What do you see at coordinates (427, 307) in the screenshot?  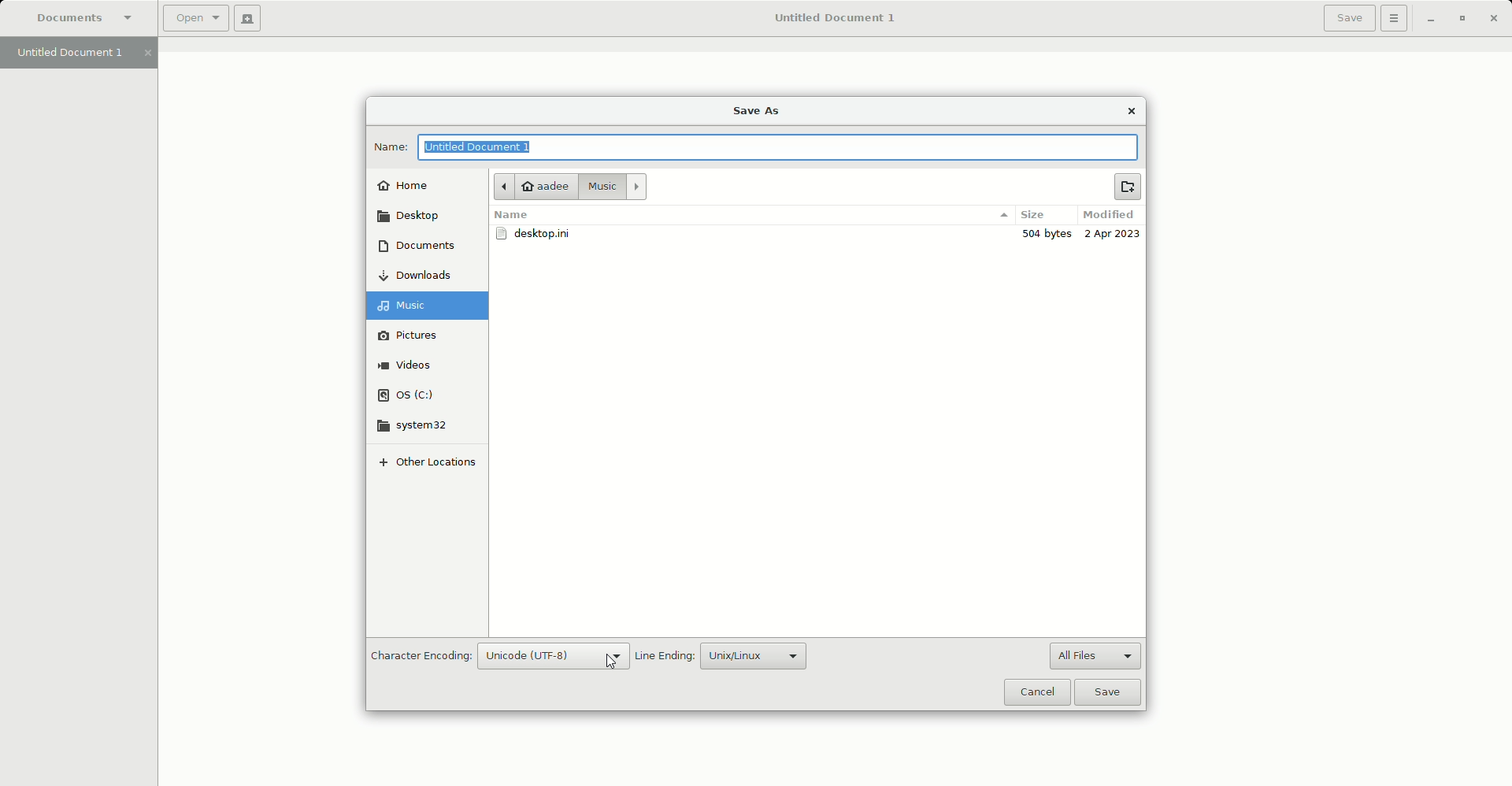 I see `Music` at bounding box center [427, 307].